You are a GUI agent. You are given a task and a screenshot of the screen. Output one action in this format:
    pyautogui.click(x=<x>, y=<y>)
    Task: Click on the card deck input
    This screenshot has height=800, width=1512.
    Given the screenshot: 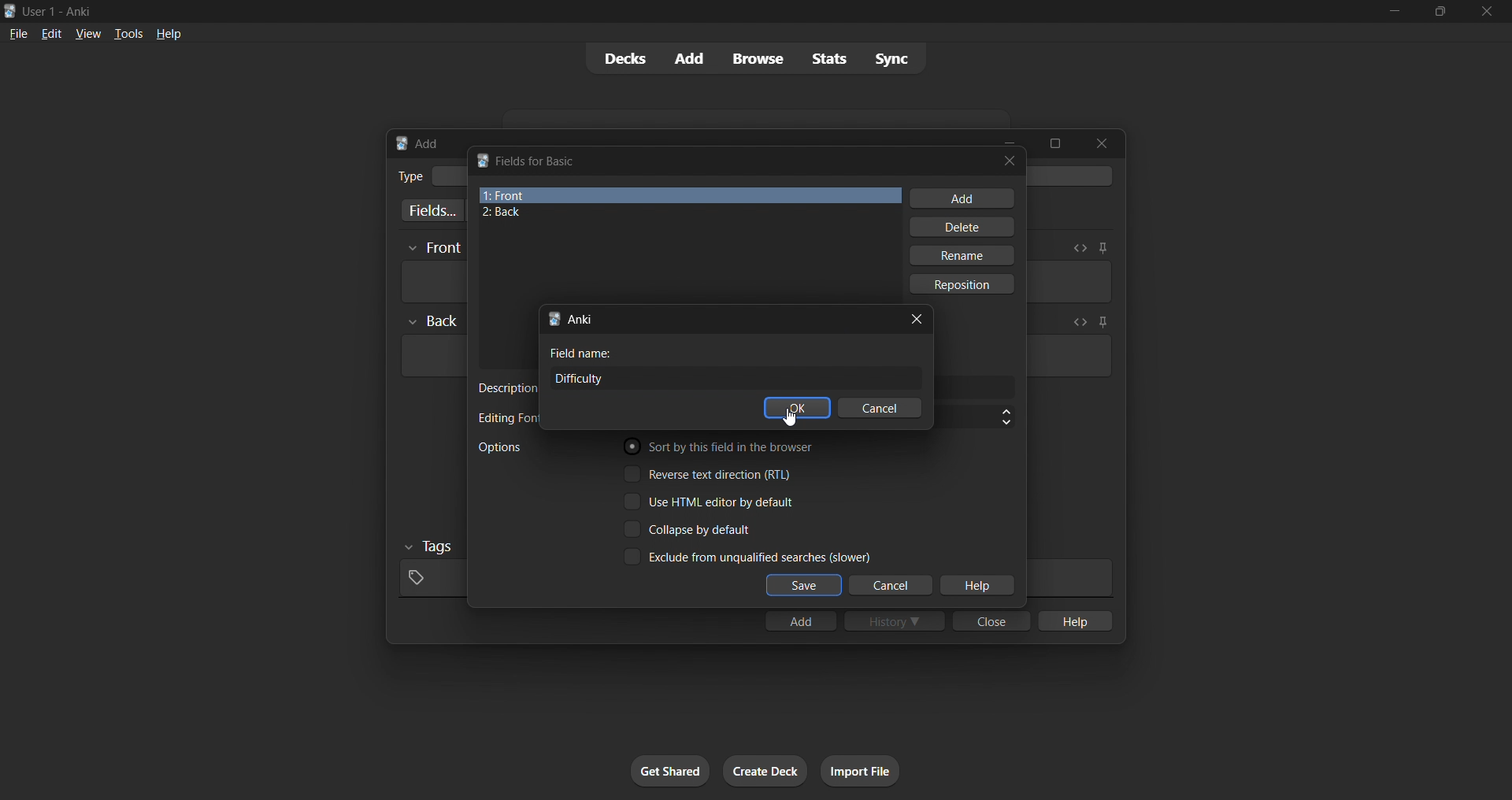 What is the action you would take?
    pyautogui.click(x=1073, y=176)
    